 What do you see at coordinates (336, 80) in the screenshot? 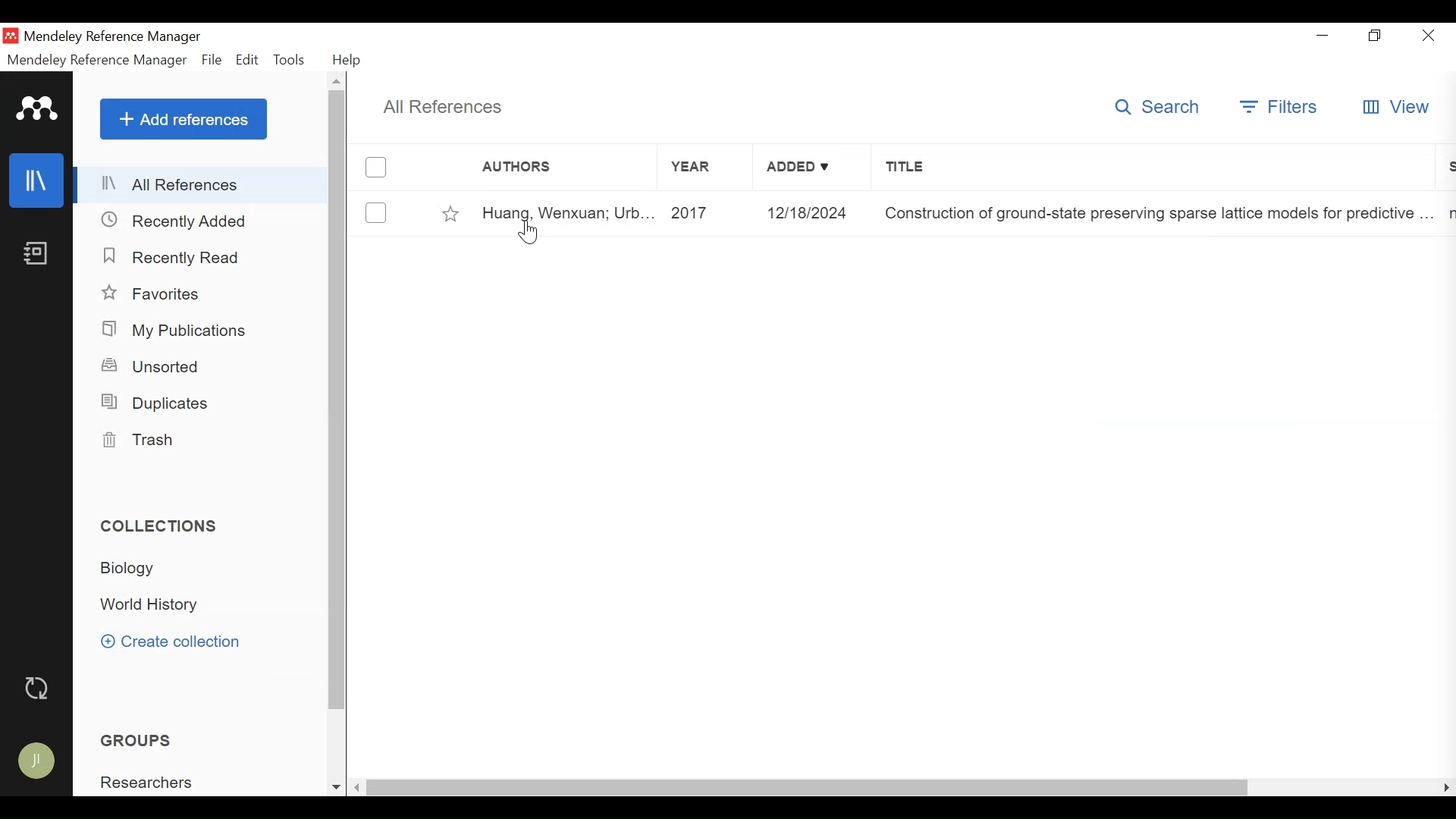
I see `Scroll up` at bounding box center [336, 80].